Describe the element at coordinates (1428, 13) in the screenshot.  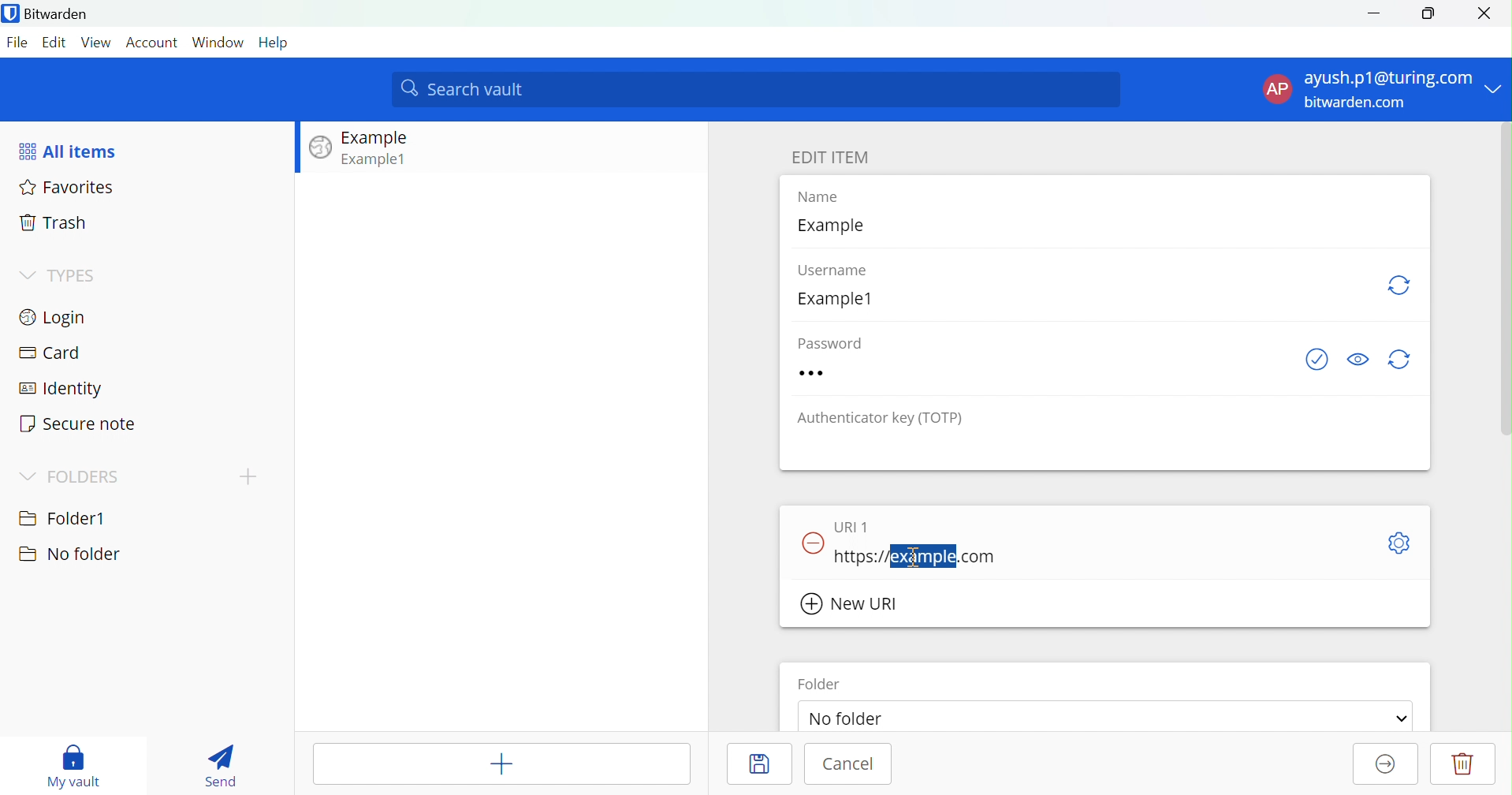
I see `Restore Down` at that location.